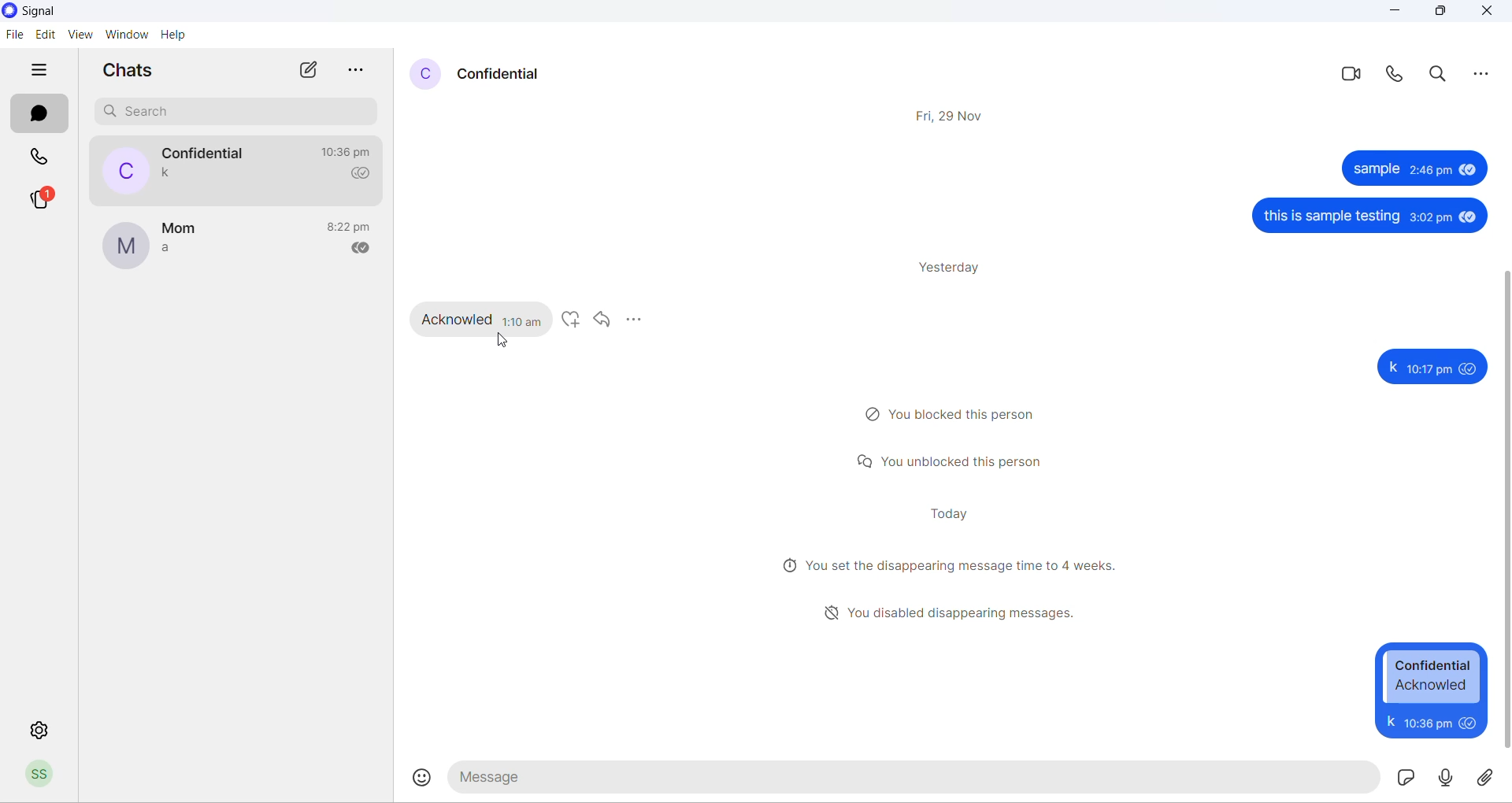 The height and width of the screenshot is (803, 1512). I want to click on hide tabs, so click(45, 71).